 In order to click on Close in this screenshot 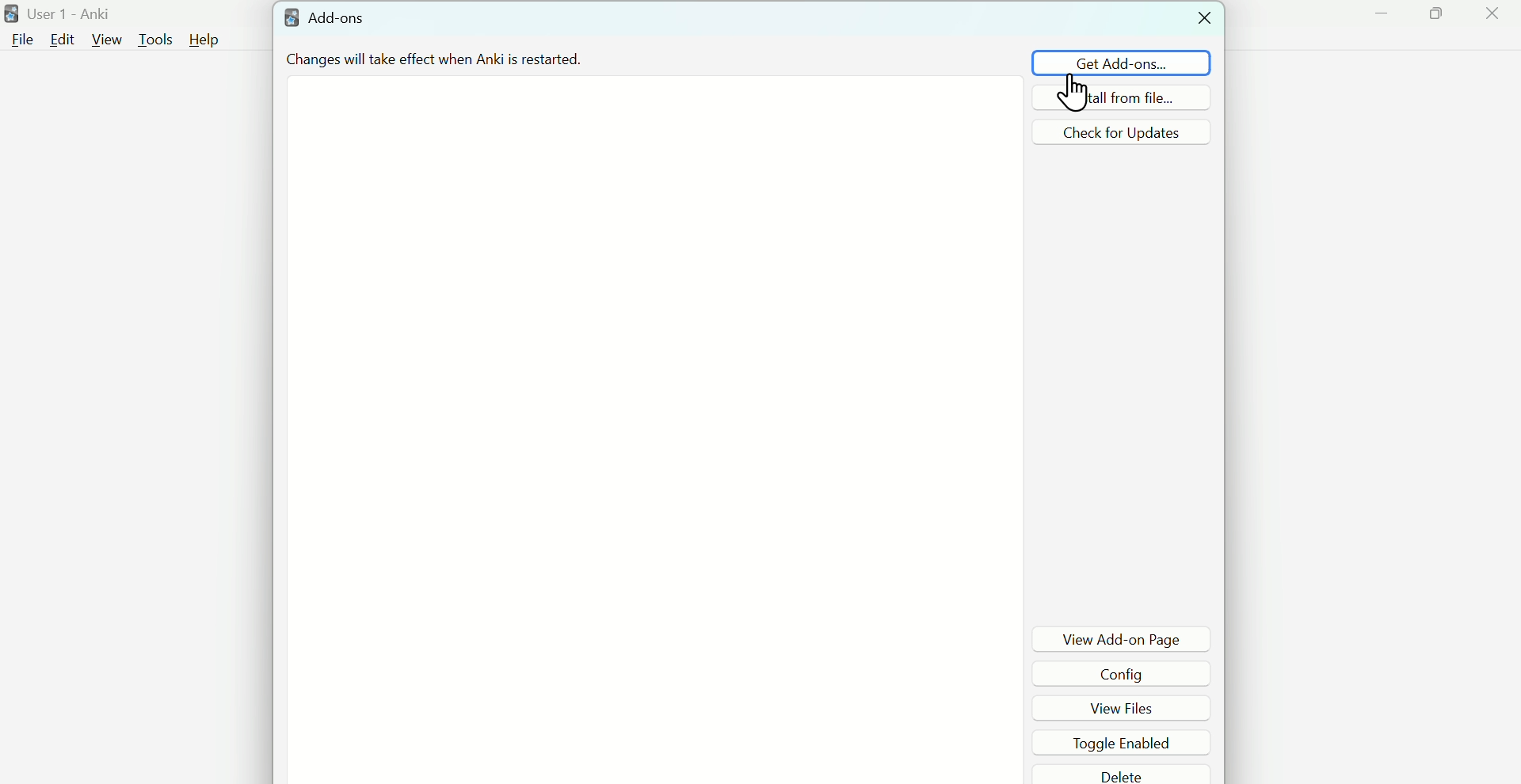, I will do `click(1492, 17)`.